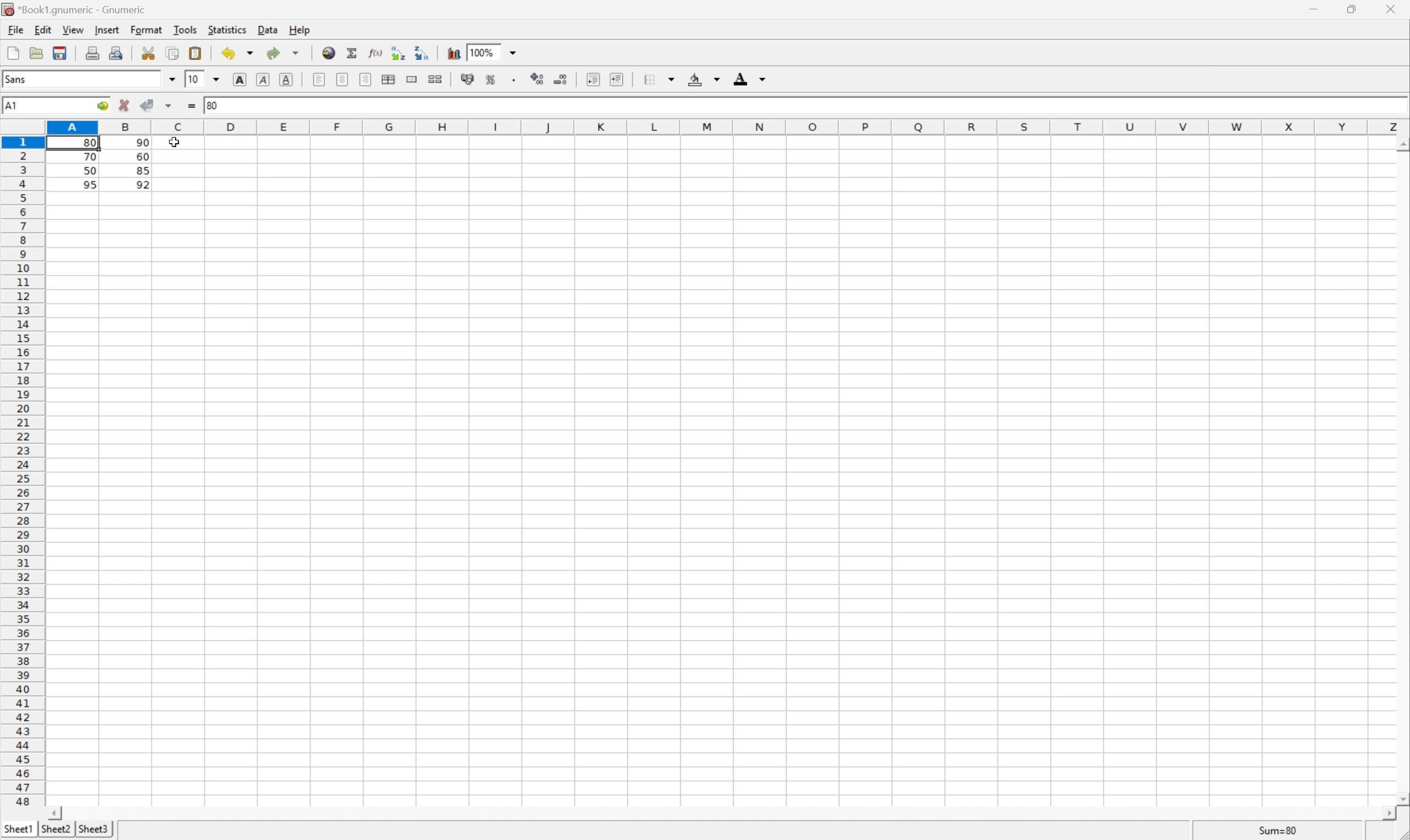 The width and height of the screenshot is (1410, 840). Describe the element at coordinates (217, 105) in the screenshot. I see `80` at that location.